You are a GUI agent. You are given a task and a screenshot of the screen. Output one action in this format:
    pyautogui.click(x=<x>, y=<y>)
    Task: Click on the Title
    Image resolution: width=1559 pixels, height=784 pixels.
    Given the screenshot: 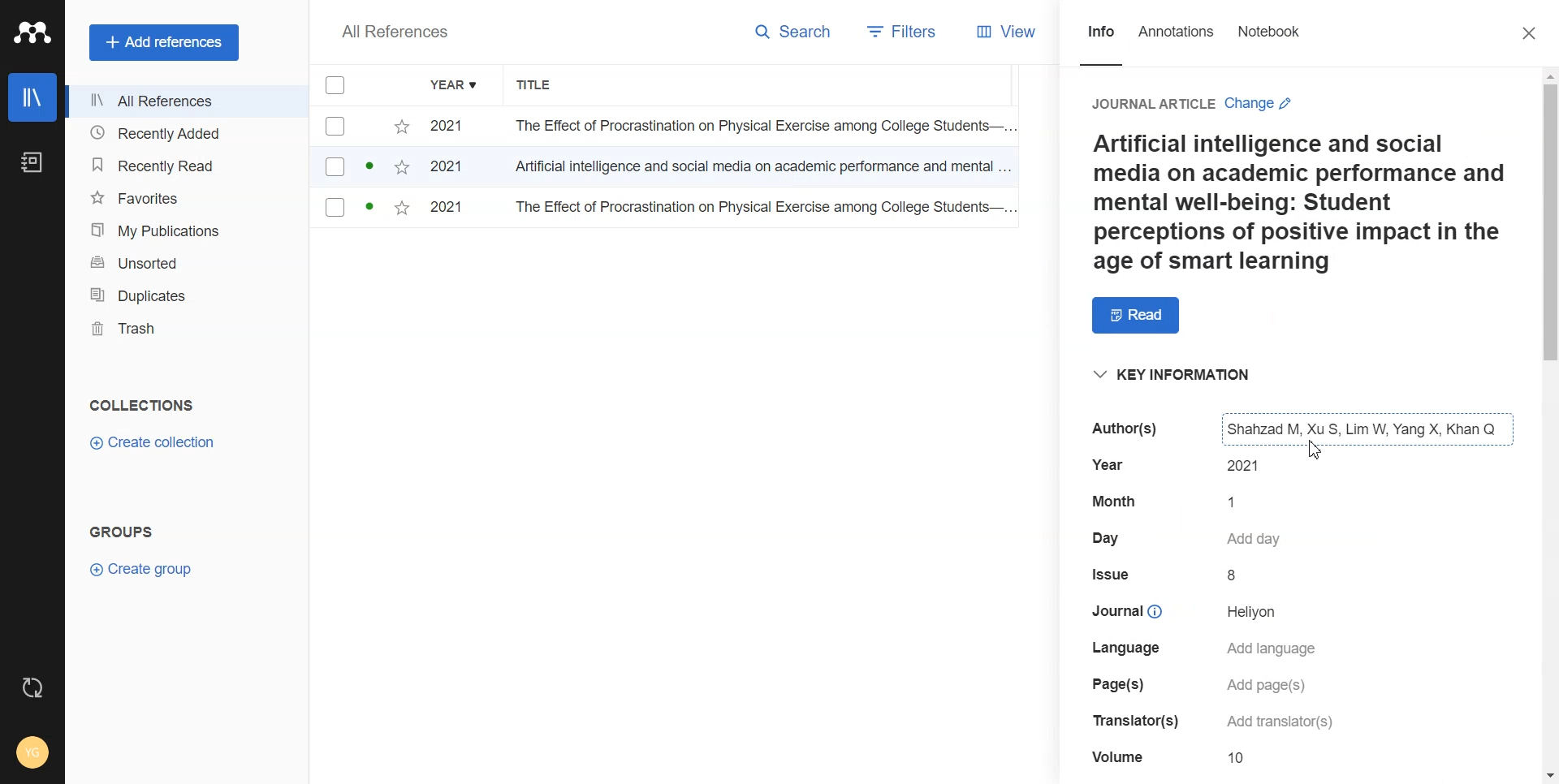 What is the action you would take?
    pyautogui.click(x=543, y=86)
    